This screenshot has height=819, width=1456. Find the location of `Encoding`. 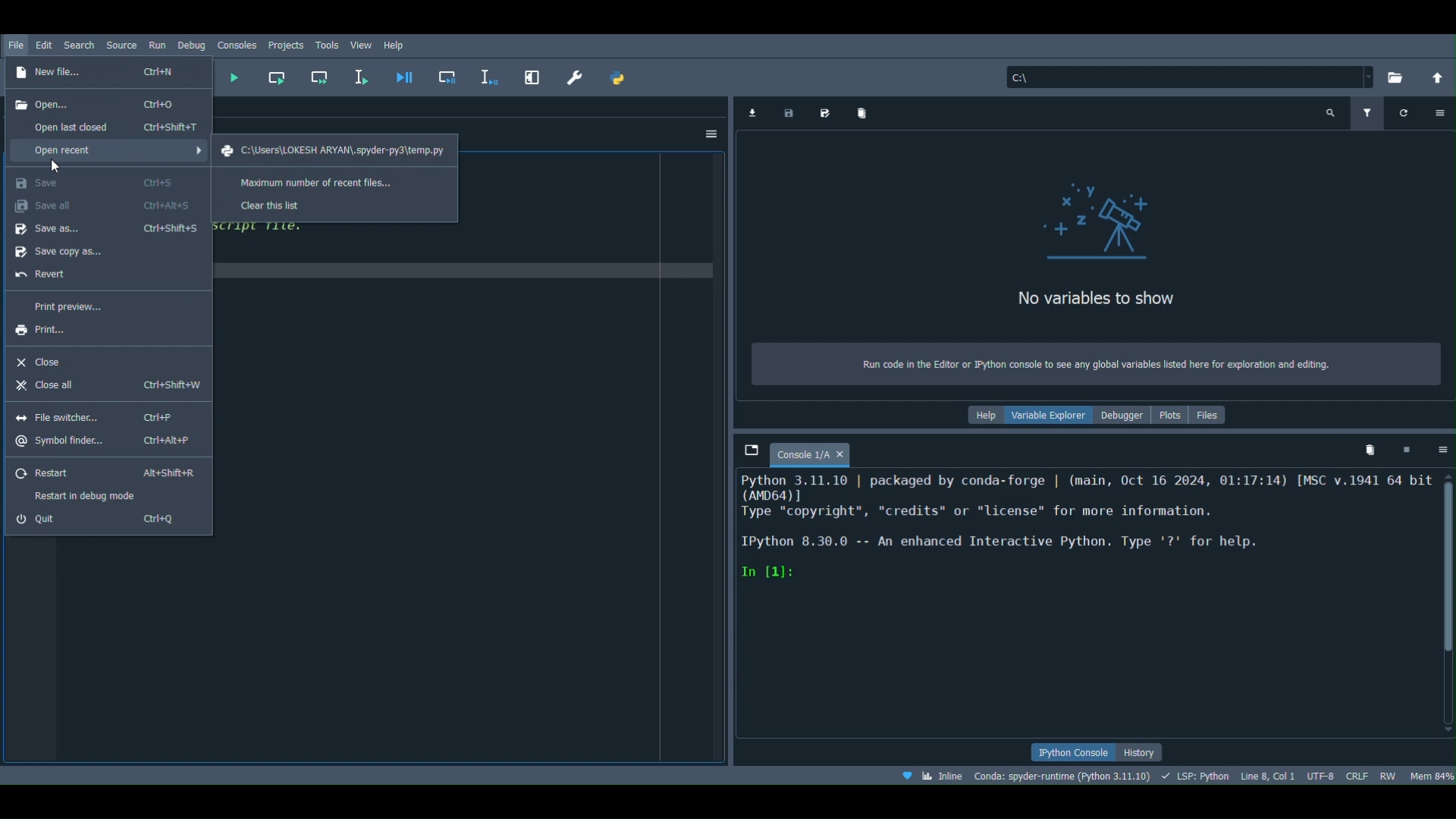

Encoding is located at coordinates (1316, 774).